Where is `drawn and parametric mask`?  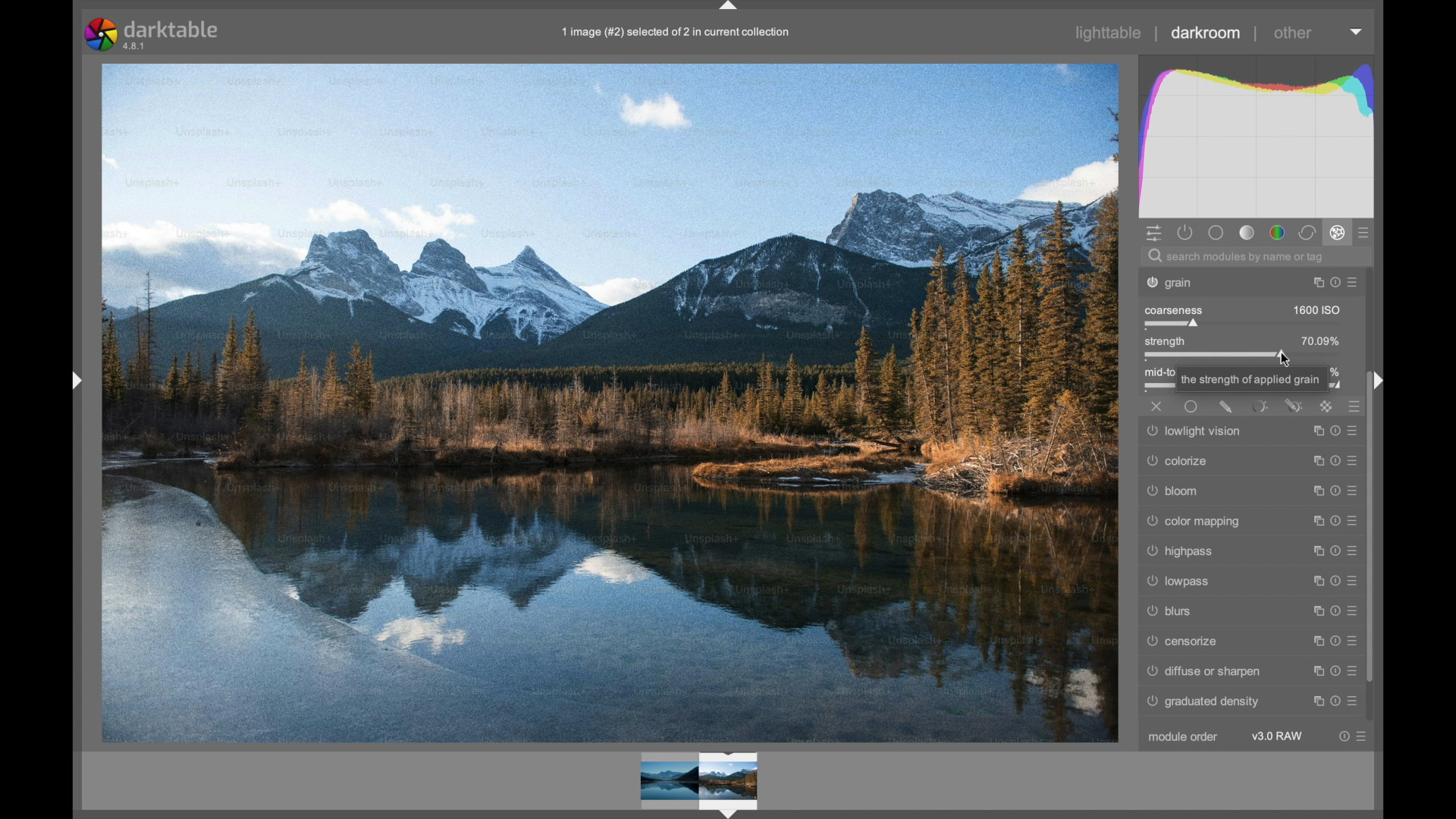
drawn and parametric mask is located at coordinates (1295, 405).